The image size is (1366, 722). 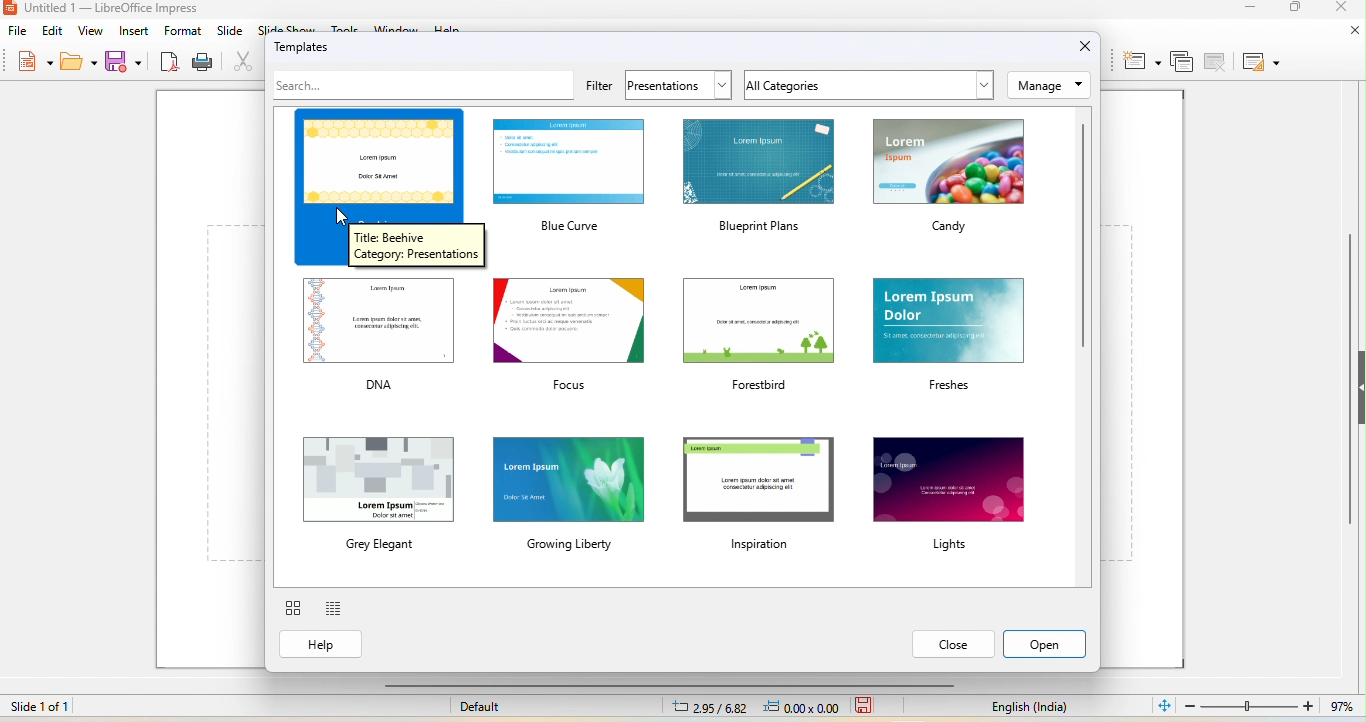 I want to click on maximize, so click(x=1298, y=10).